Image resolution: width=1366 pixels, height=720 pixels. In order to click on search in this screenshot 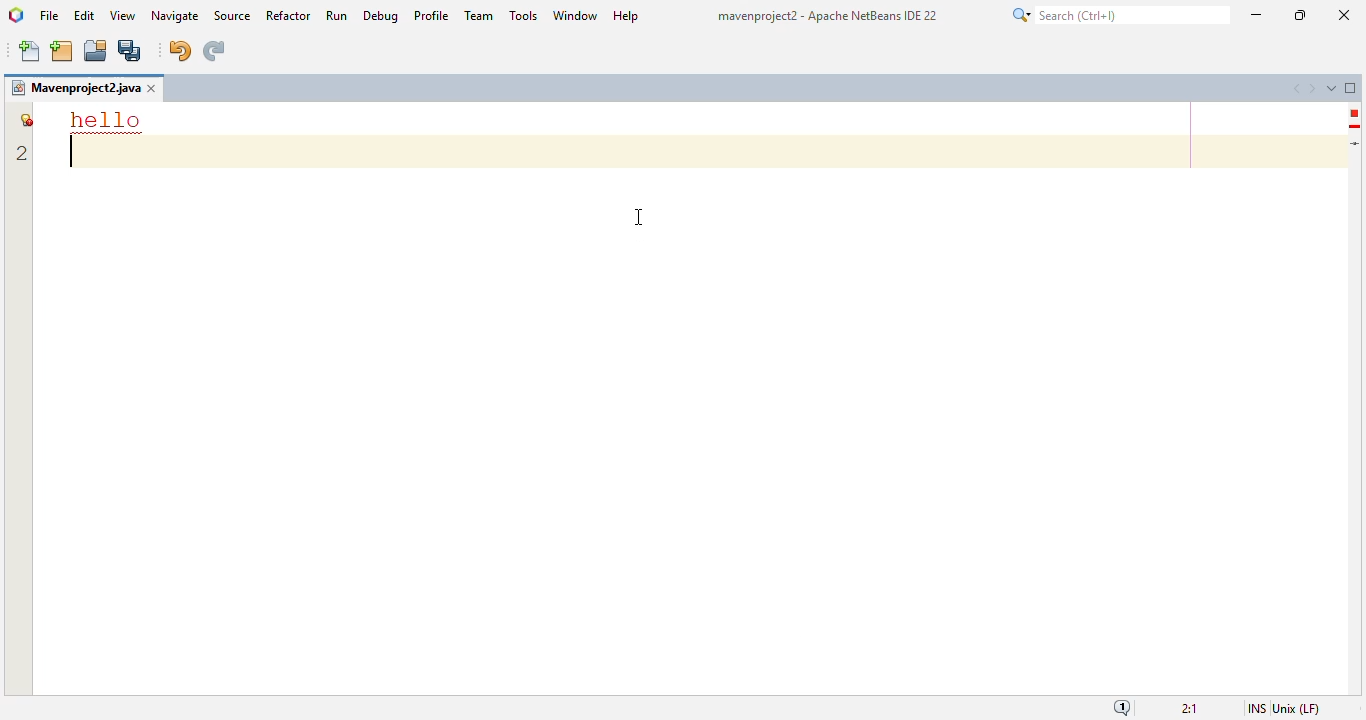, I will do `click(1118, 15)`.